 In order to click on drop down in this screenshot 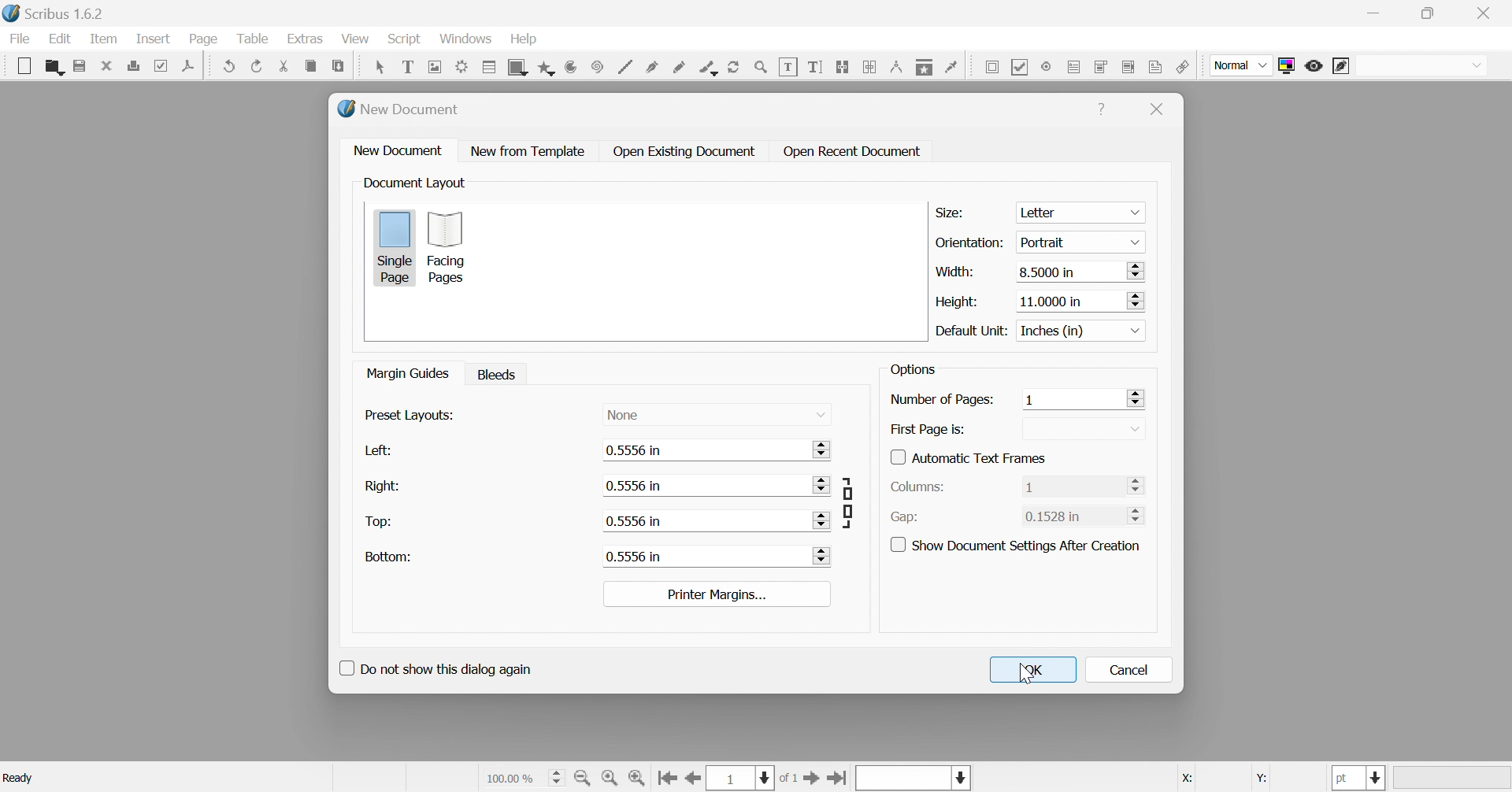, I will do `click(1135, 429)`.